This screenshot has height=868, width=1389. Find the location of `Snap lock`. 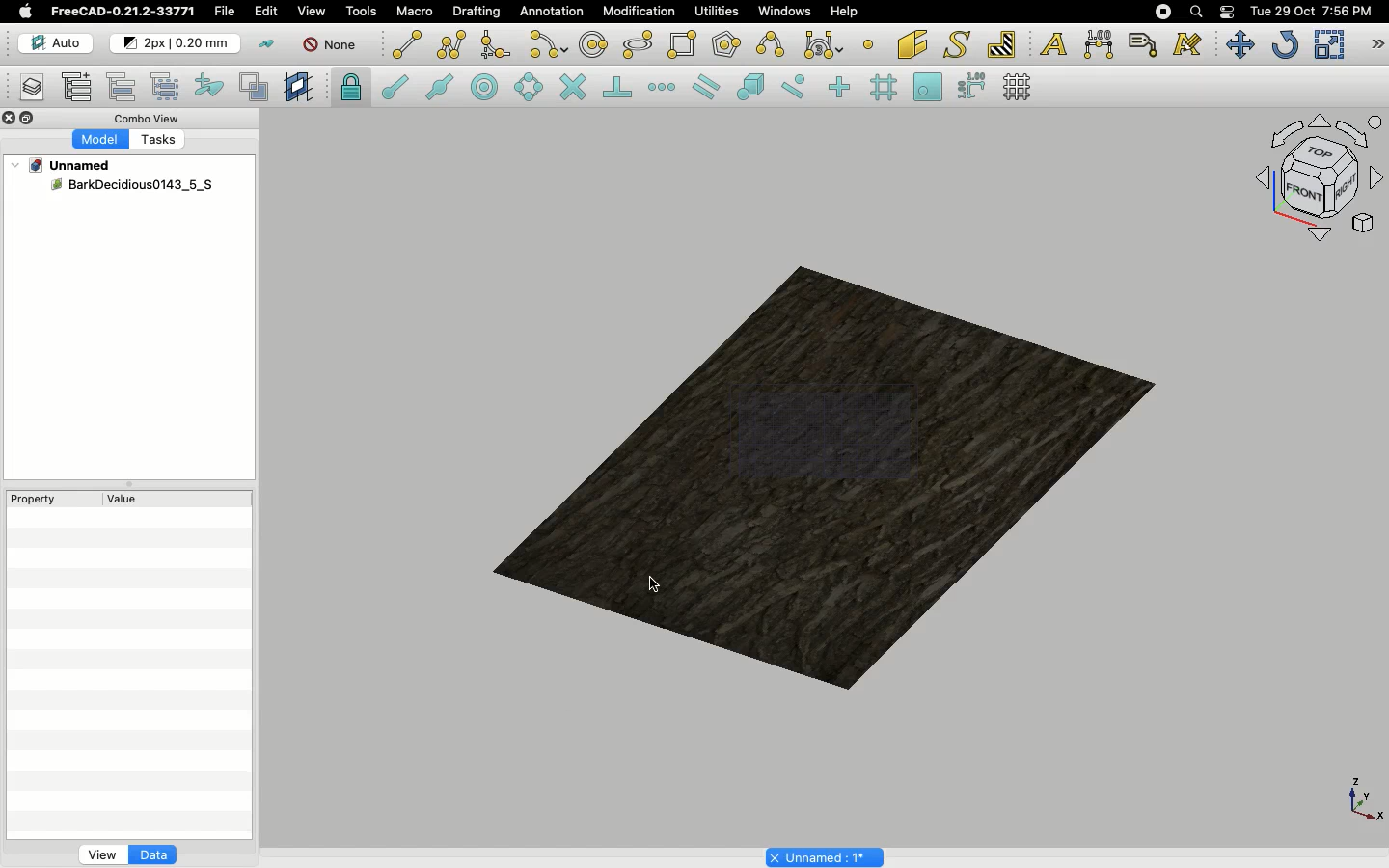

Snap lock is located at coordinates (353, 87).